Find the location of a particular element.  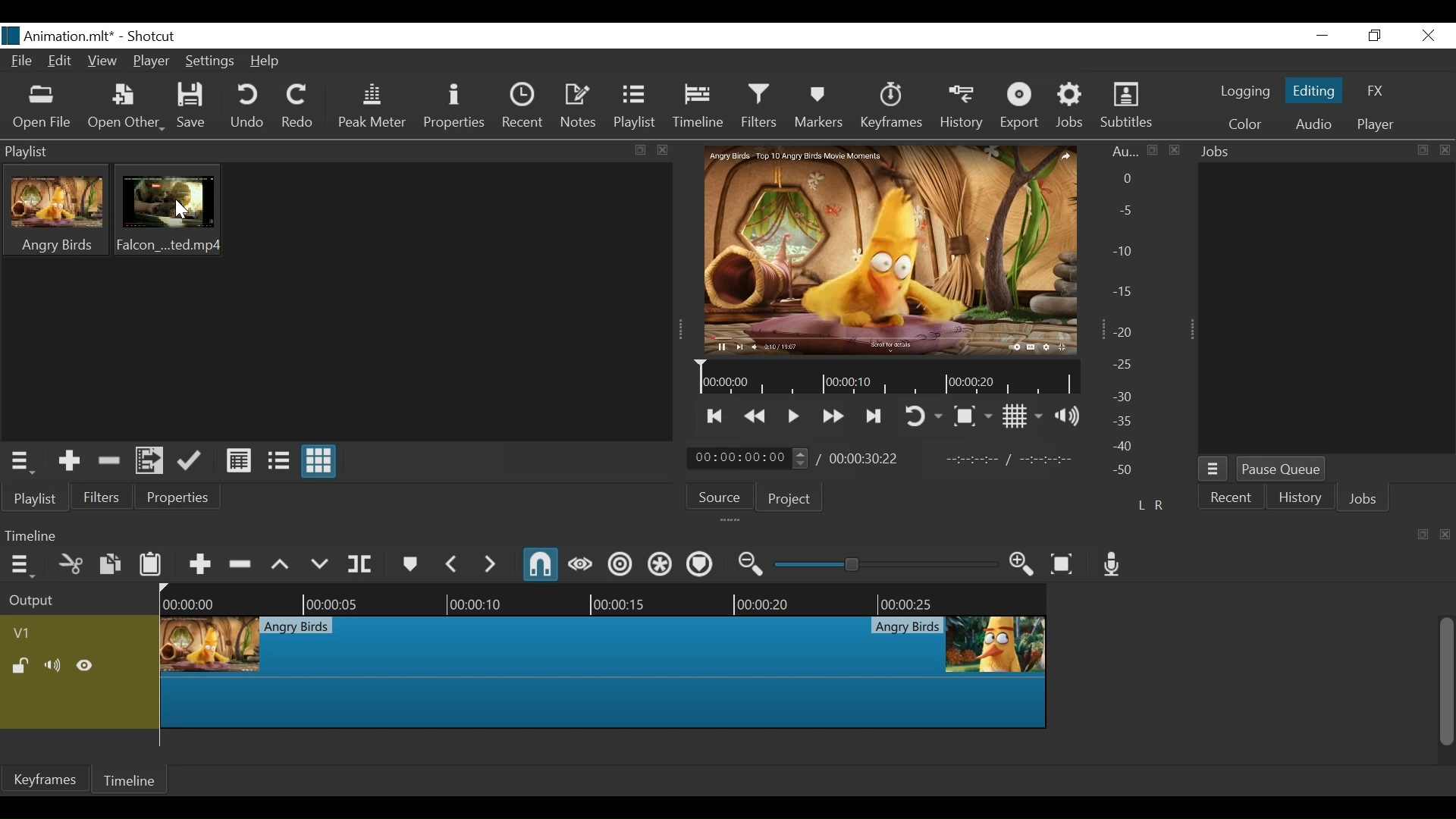

Project is located at coordinates (789, 500).